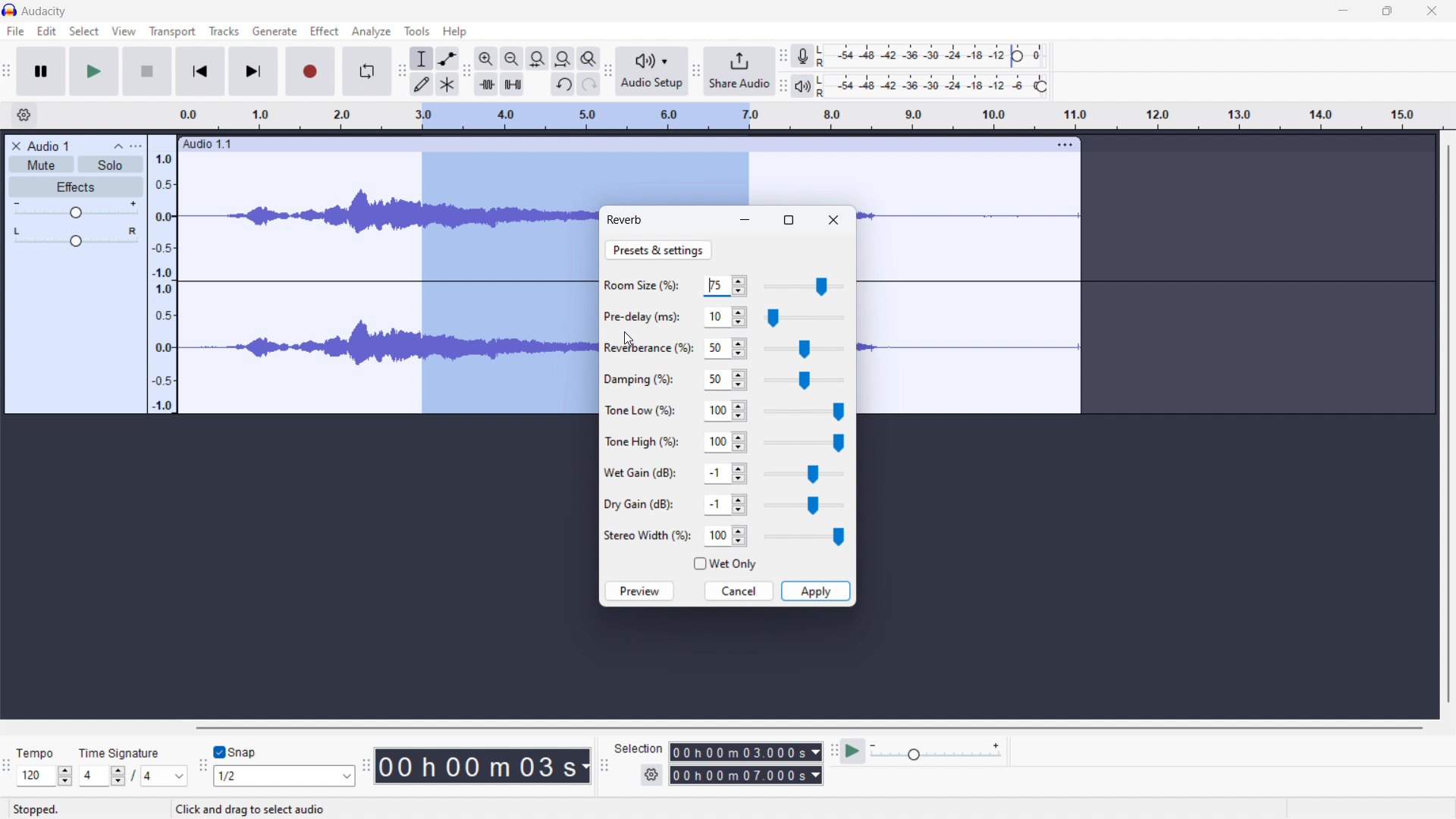 The image size is (1456, 819). I want to click on preview, so click(639, 589).